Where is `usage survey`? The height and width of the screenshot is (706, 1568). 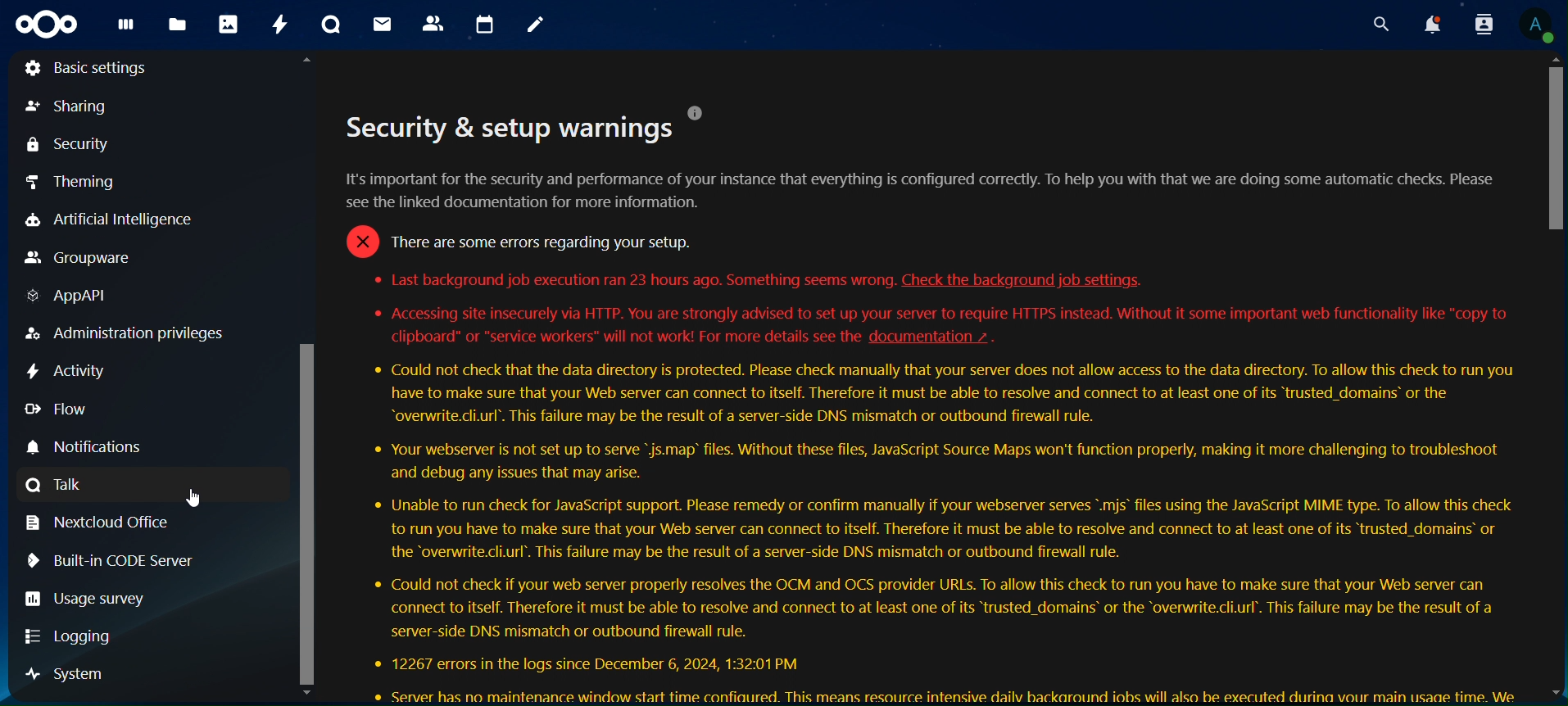
usage survey is located at coordinates (88, 599).